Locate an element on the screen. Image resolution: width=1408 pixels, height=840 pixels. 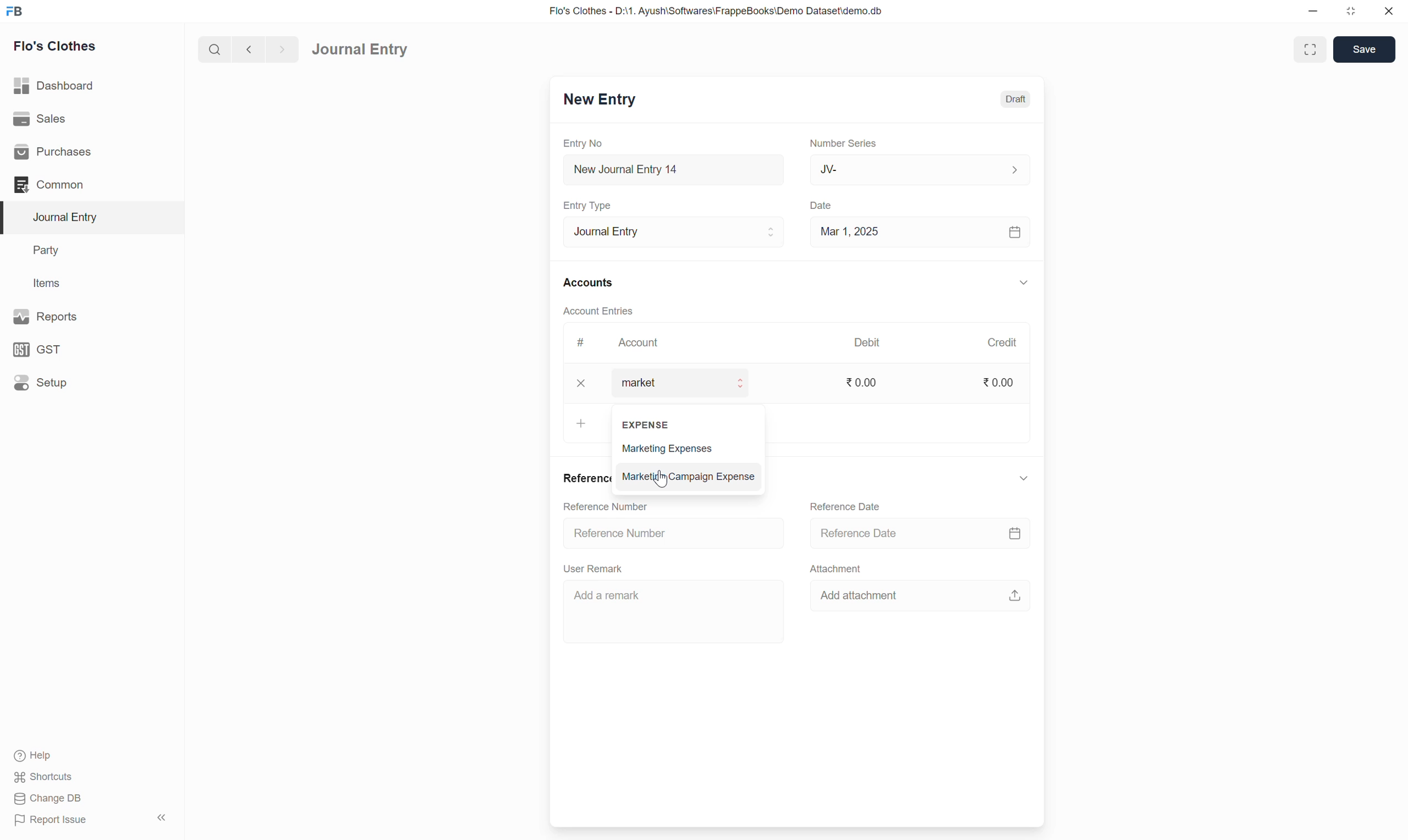
User Remark is located at coordinates (596, 567).